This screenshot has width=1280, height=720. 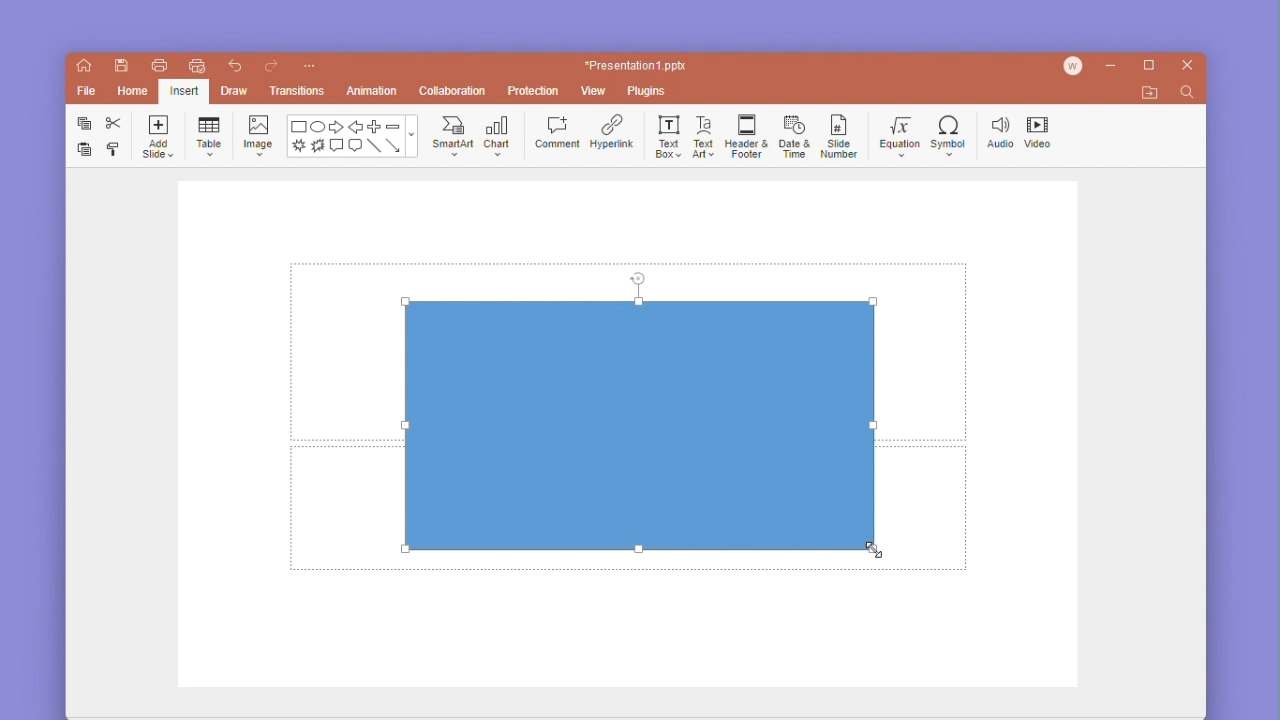 What do you see at coordinates (336, 125) in the screenshot?
I see `forward arrow` at bounding box center [336, 125].